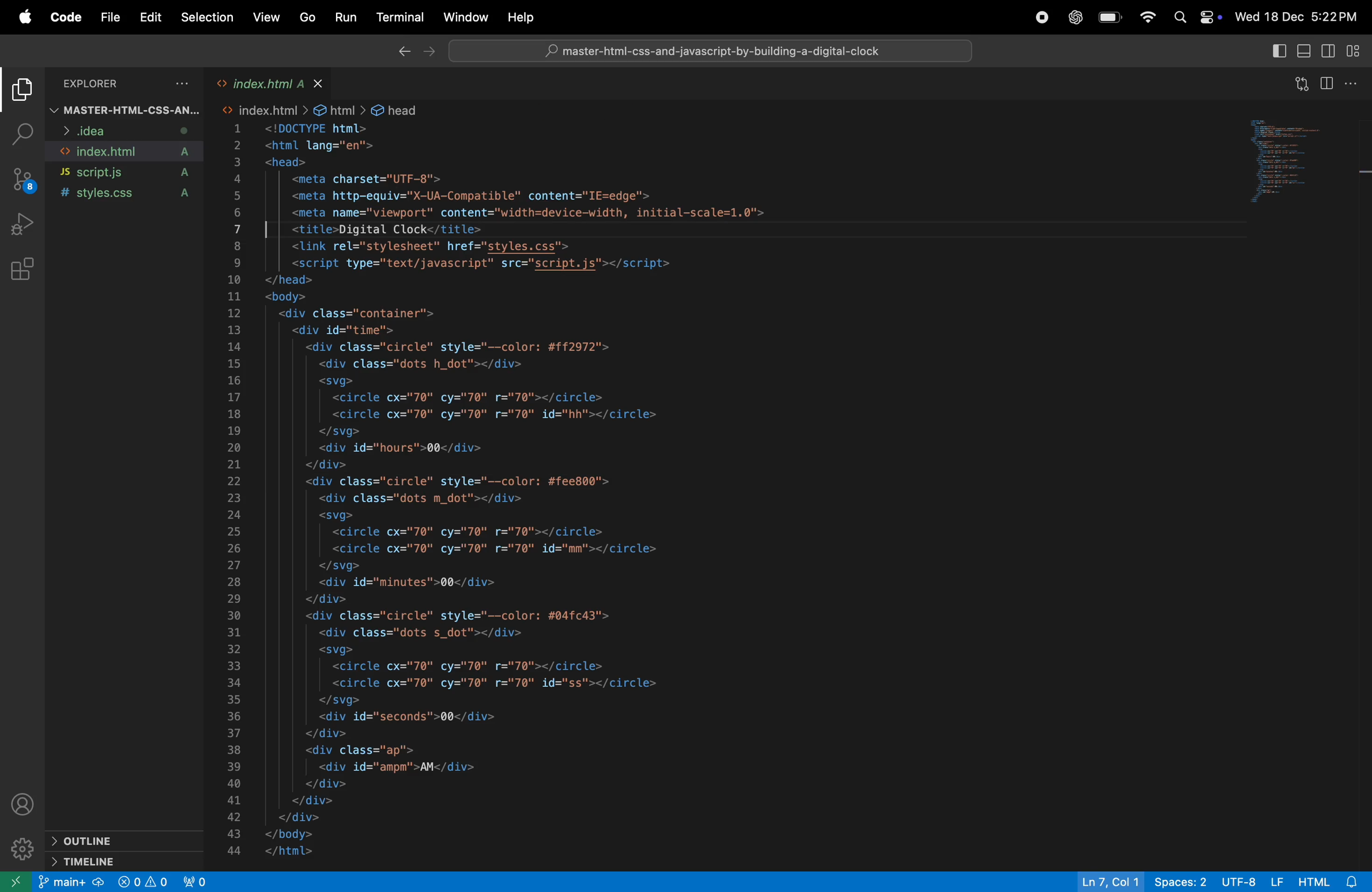 The width and height of the screenshot is (1372, 892). What do you see at coordinates (1039, 20) in the screenshot?
I see `record` at bounding box center [1039, 20].